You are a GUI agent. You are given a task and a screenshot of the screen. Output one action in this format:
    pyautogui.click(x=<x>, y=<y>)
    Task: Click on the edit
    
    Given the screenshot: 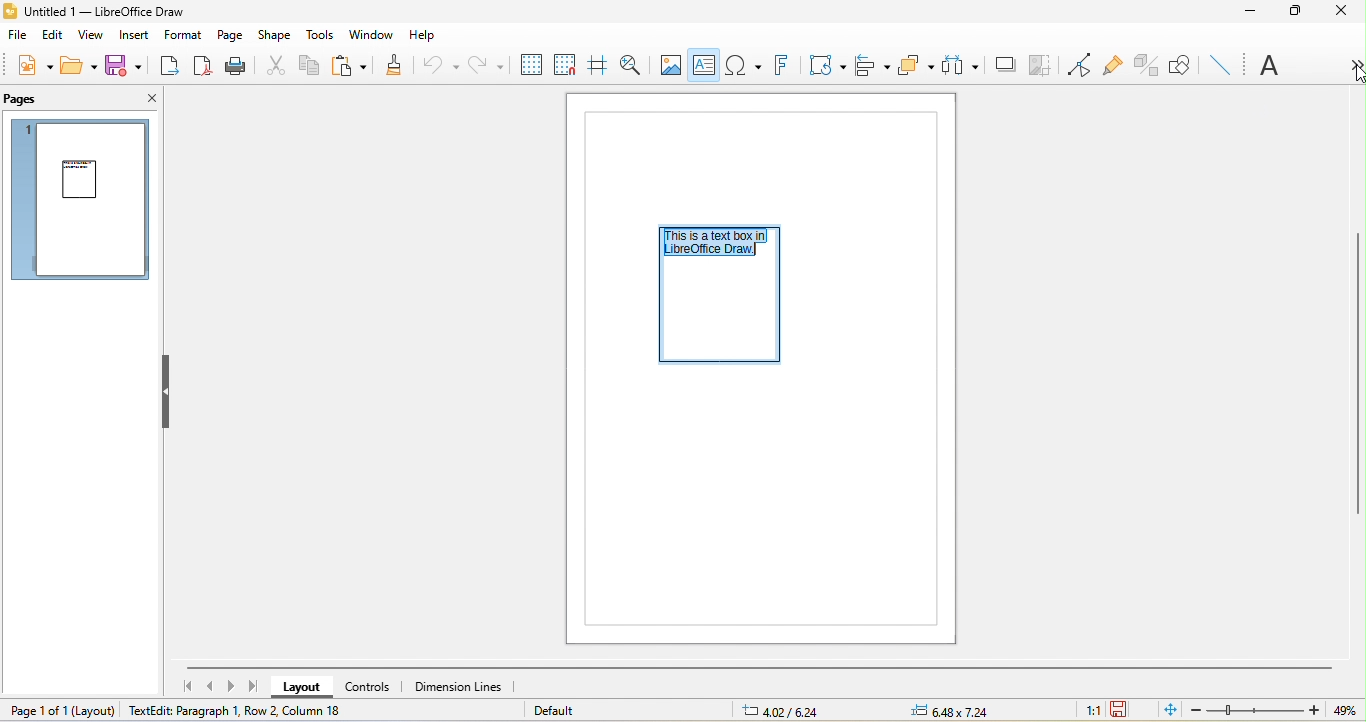 What is the action you would take?
    pyautogui.click(x=53, y=36)
    